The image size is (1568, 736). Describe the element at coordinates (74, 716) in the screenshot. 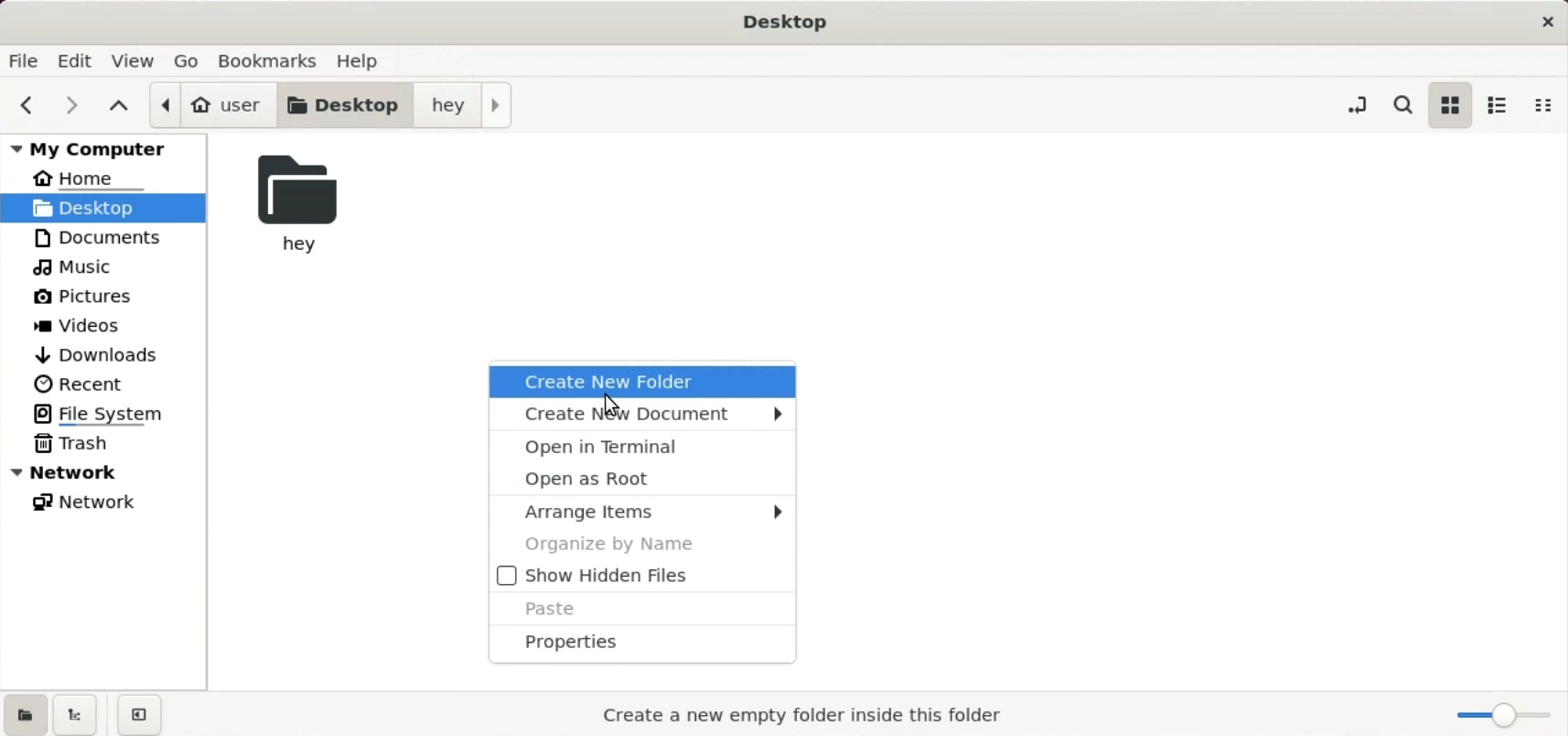

I see `show treeview` at that location.